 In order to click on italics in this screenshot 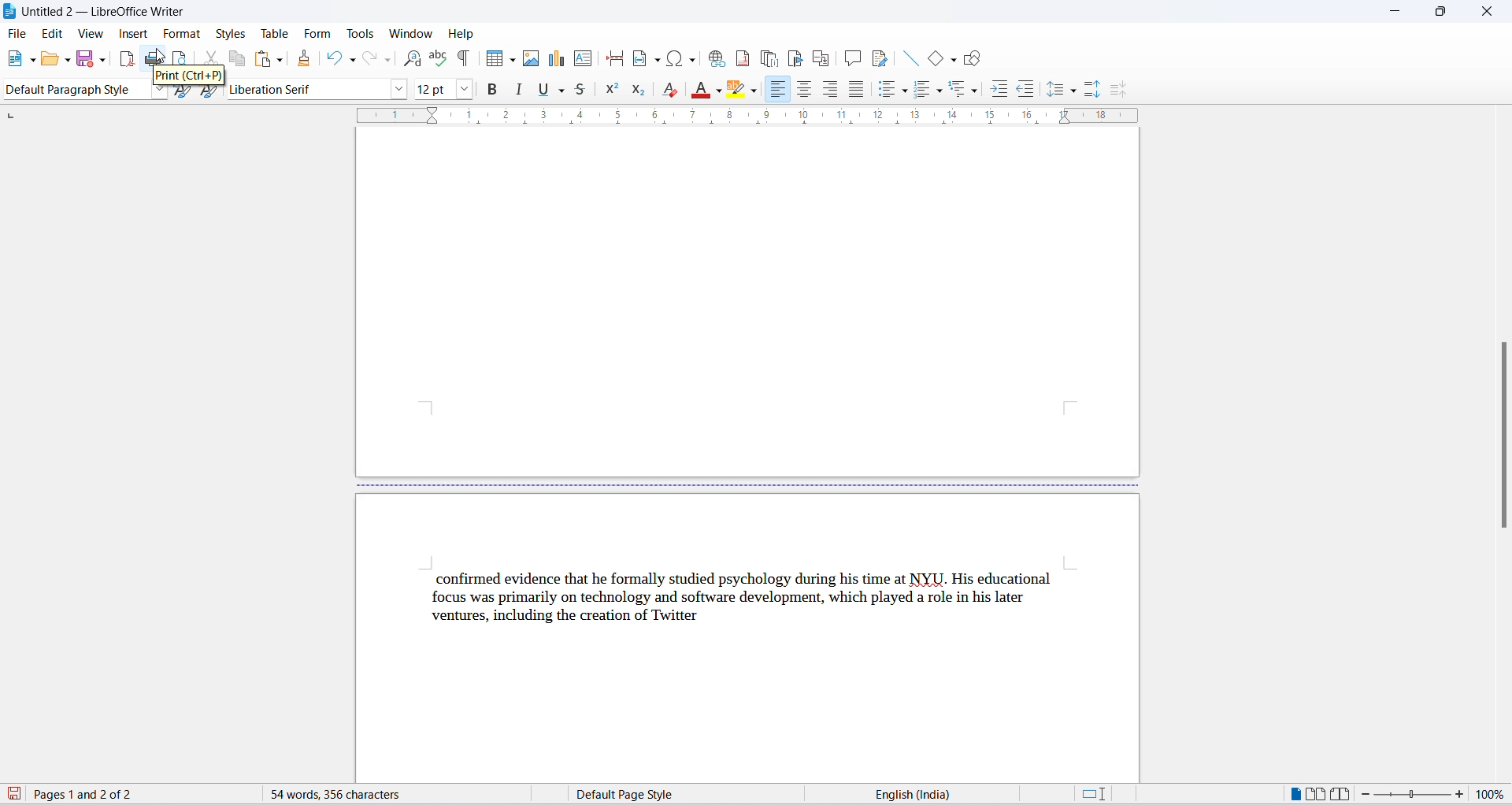, I will do `click(520, 88)`.